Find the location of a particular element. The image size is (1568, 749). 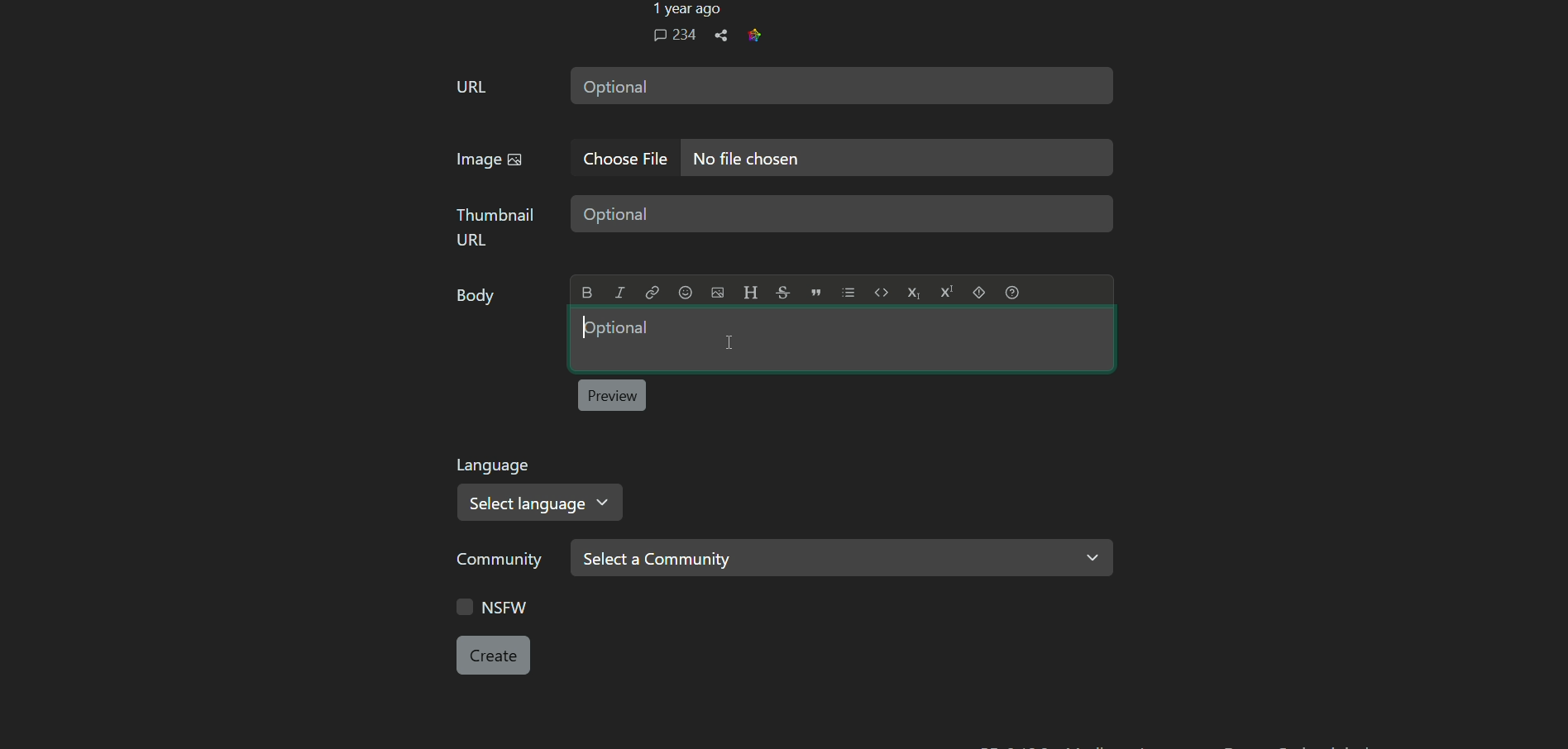

choose file is located at coordinates (627, 159).